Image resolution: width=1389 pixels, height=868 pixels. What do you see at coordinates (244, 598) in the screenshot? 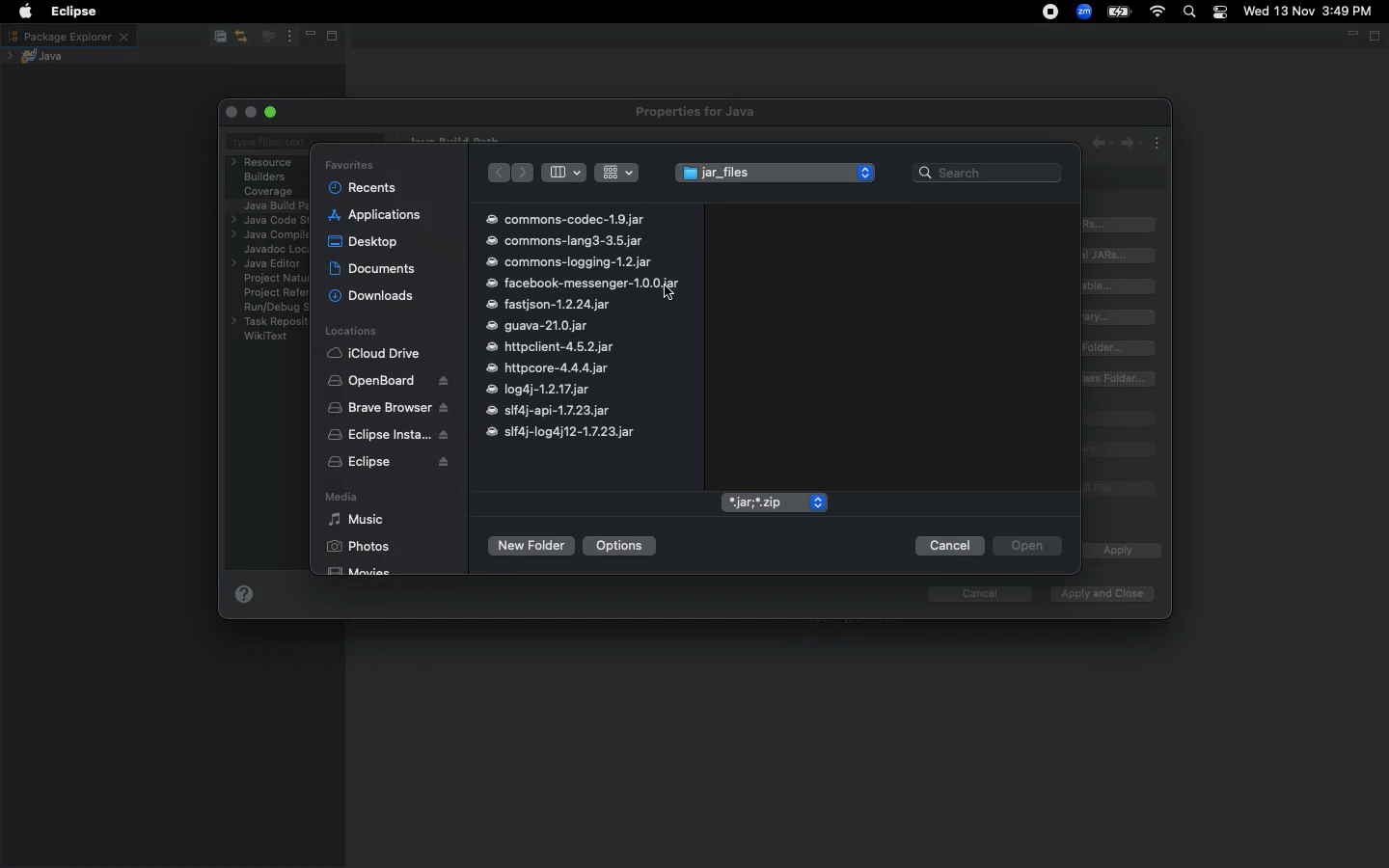
I see `Help` at bounding box center [244, 598].